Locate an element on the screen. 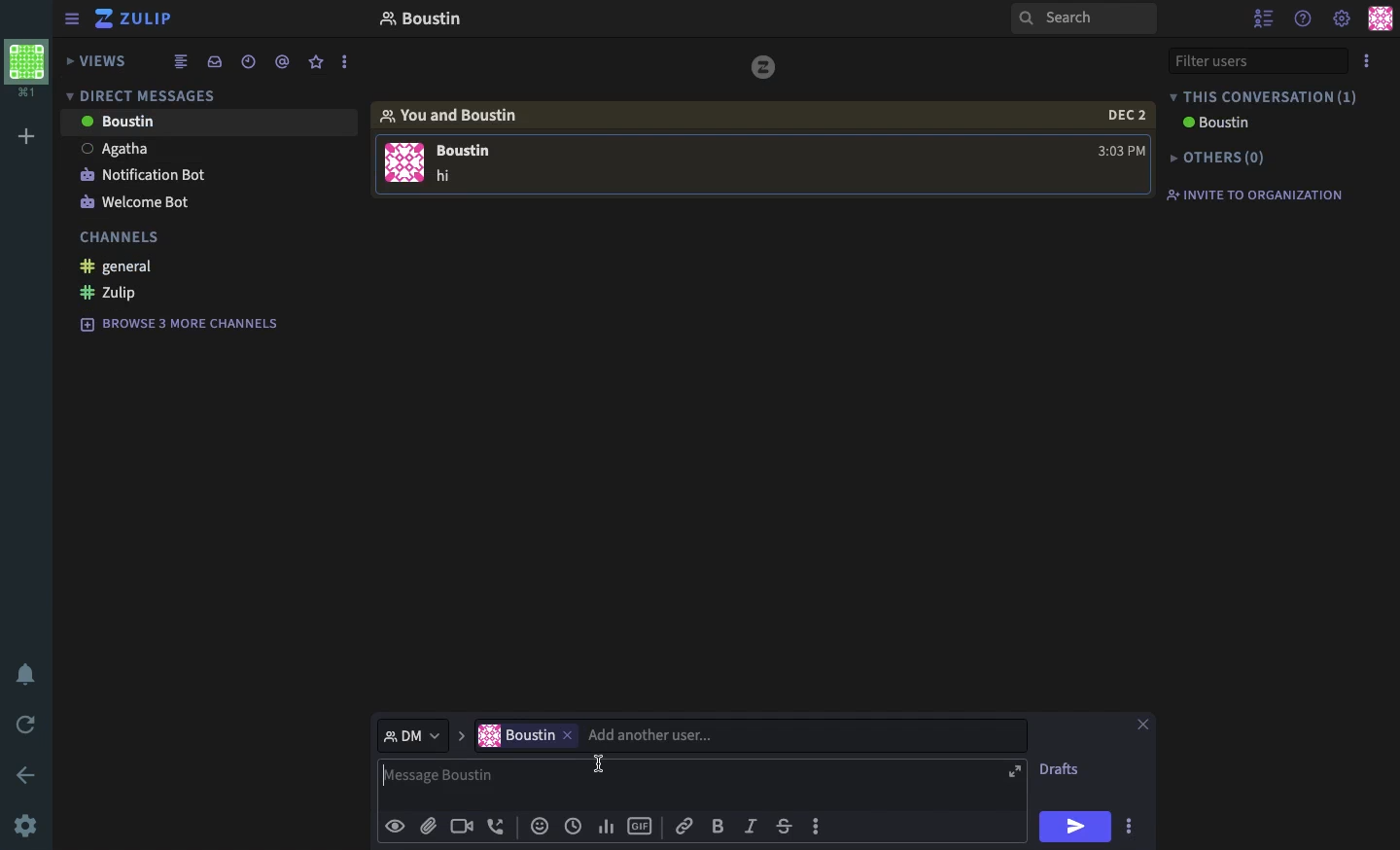 This screenshot has width=1400, height=850. combined feed is located at coordinates (182, 63).